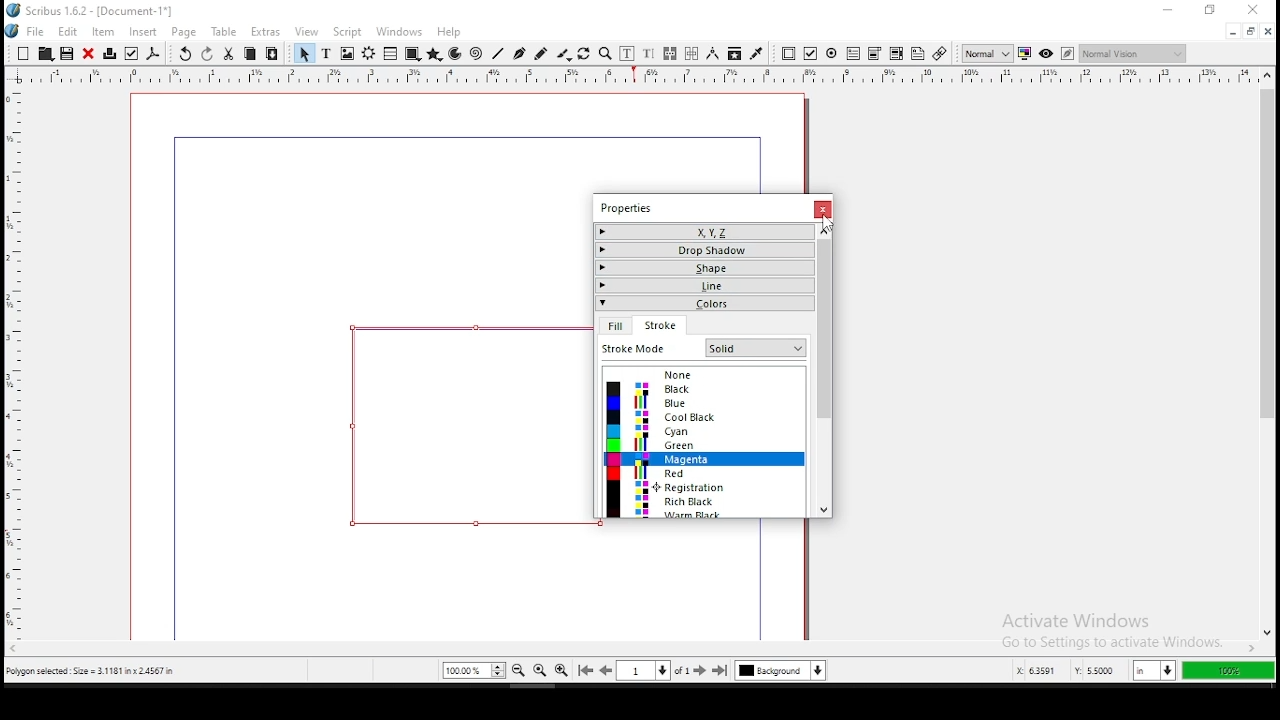 The height and width of the screenshot is (720, 1280). I want to click on edit contents of frame, so click(627, 54).